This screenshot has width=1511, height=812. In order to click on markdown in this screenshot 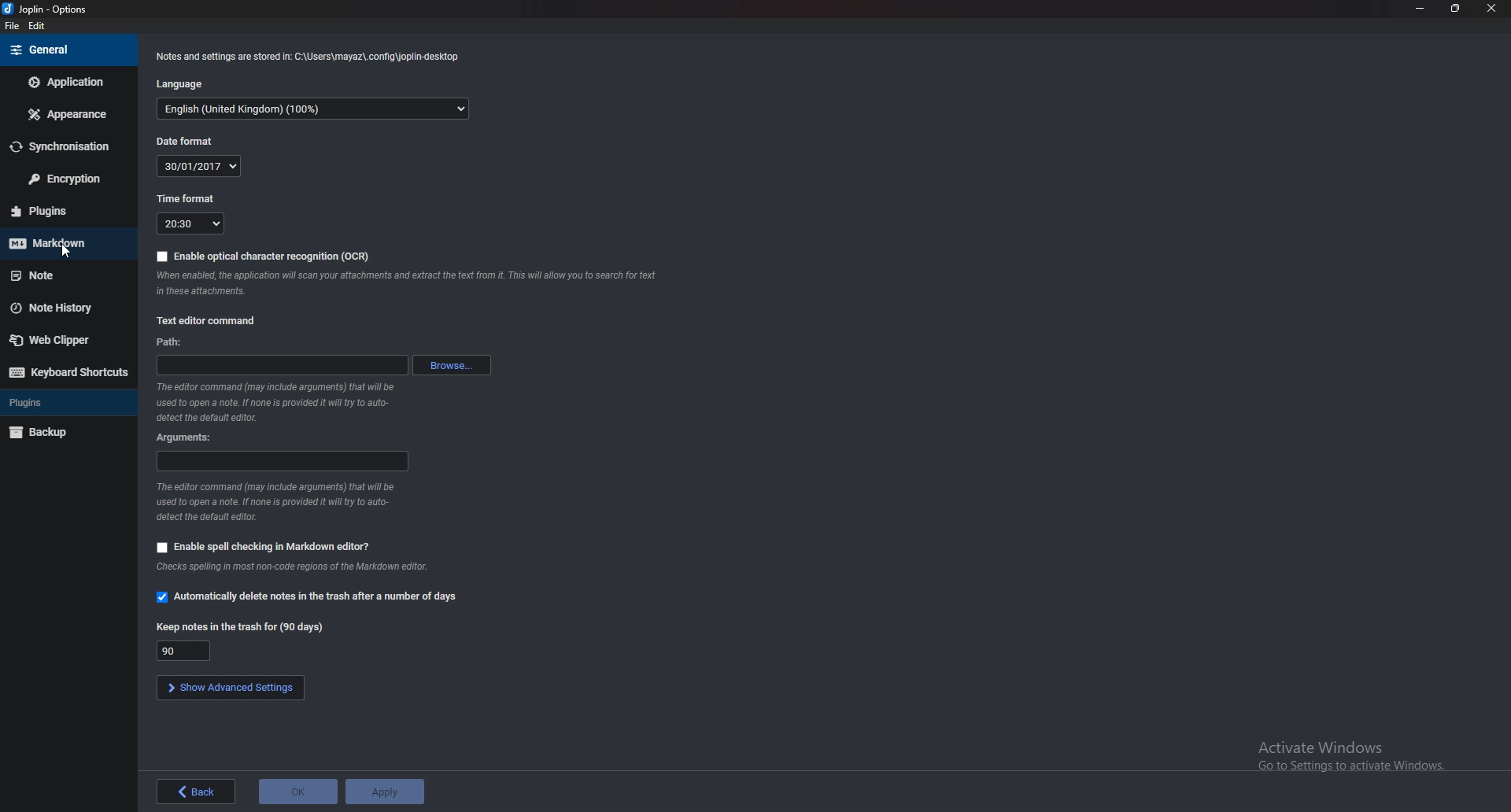, I will do `click(66, 243)`.